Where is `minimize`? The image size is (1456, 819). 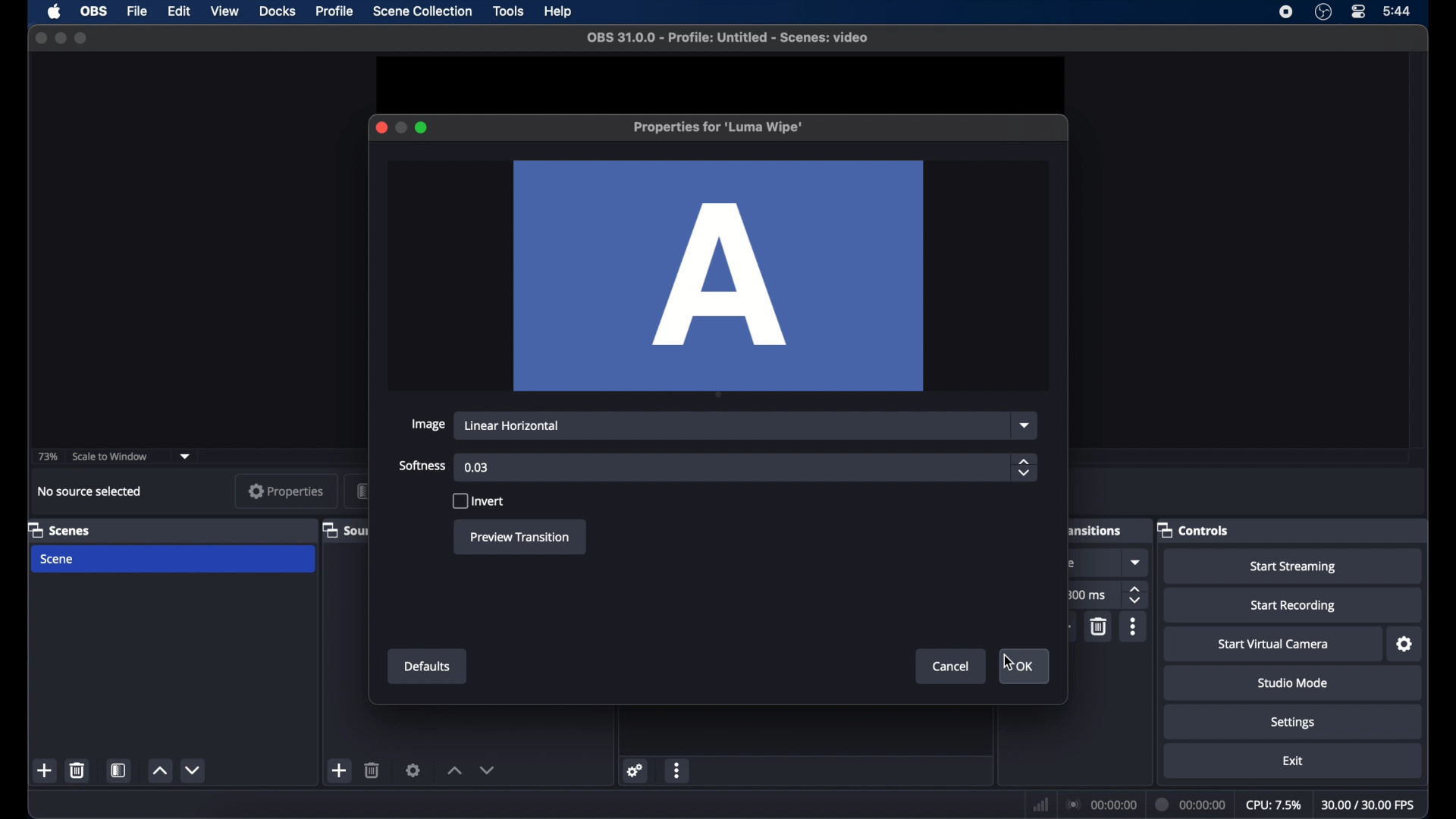 minimize is located at coordinates (401, 127).